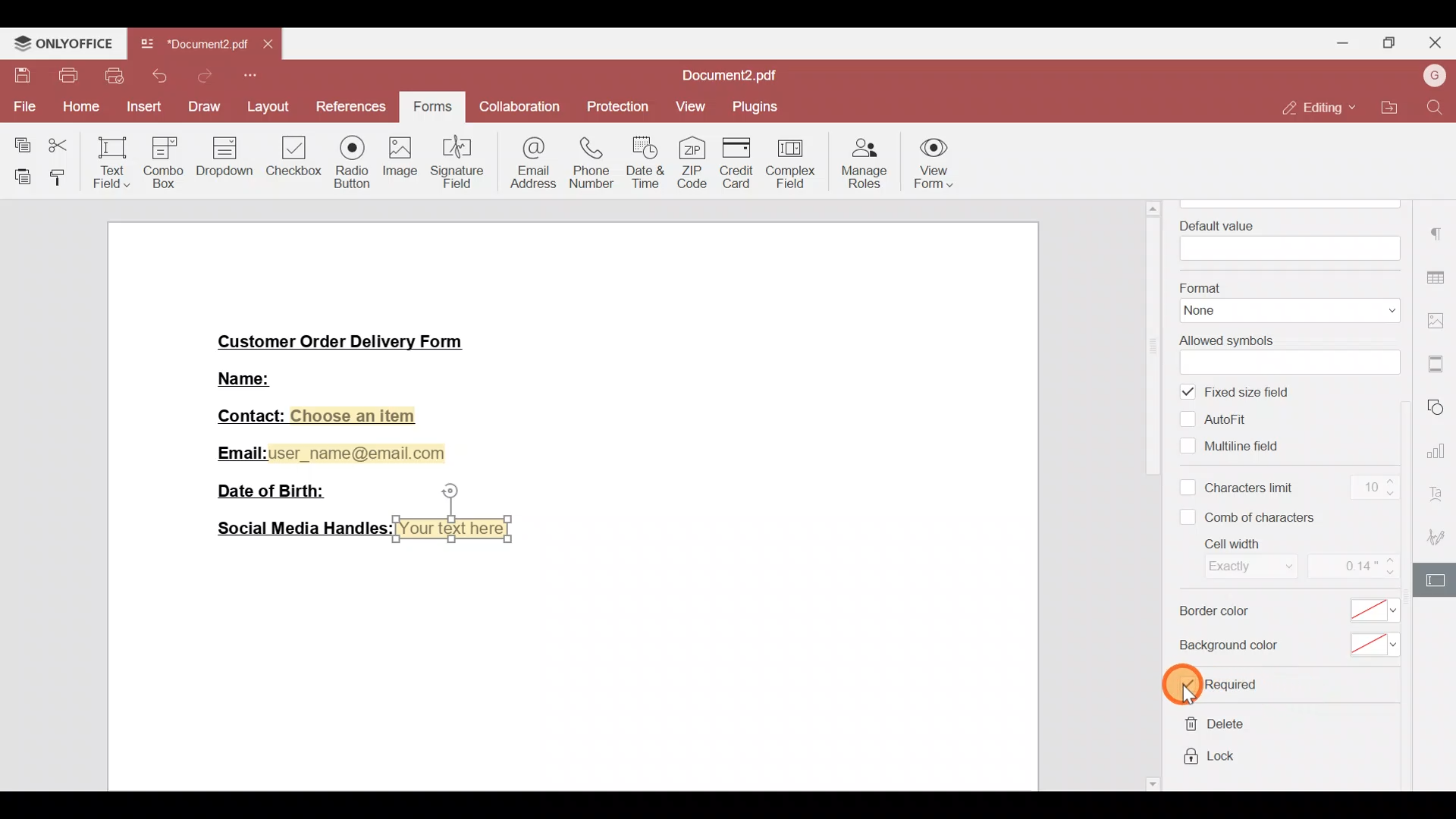 This screenshot has width=1456, height=819. What do you see at coordinates (692, 159) in the screenshot?
I see `ZIP code` at bounding box center [692, 159].